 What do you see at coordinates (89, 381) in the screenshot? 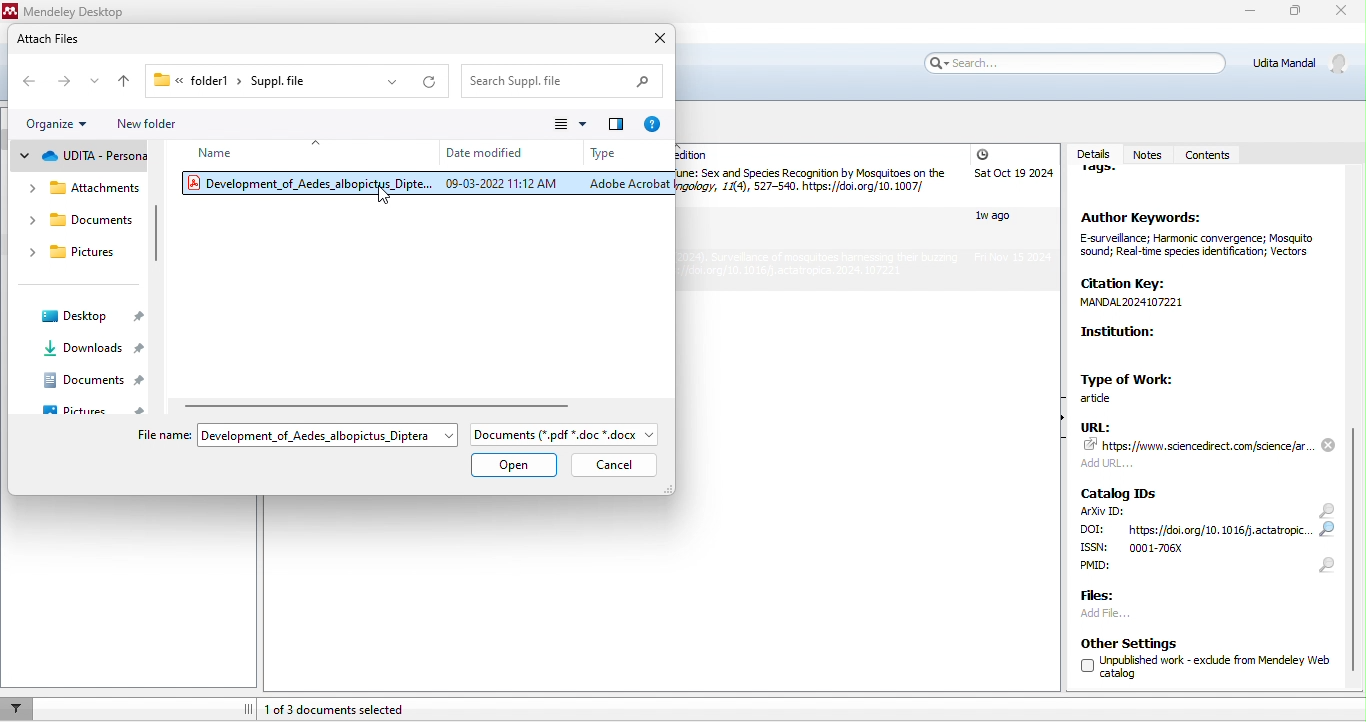
I see `documents` at bounding box center [89, 381].